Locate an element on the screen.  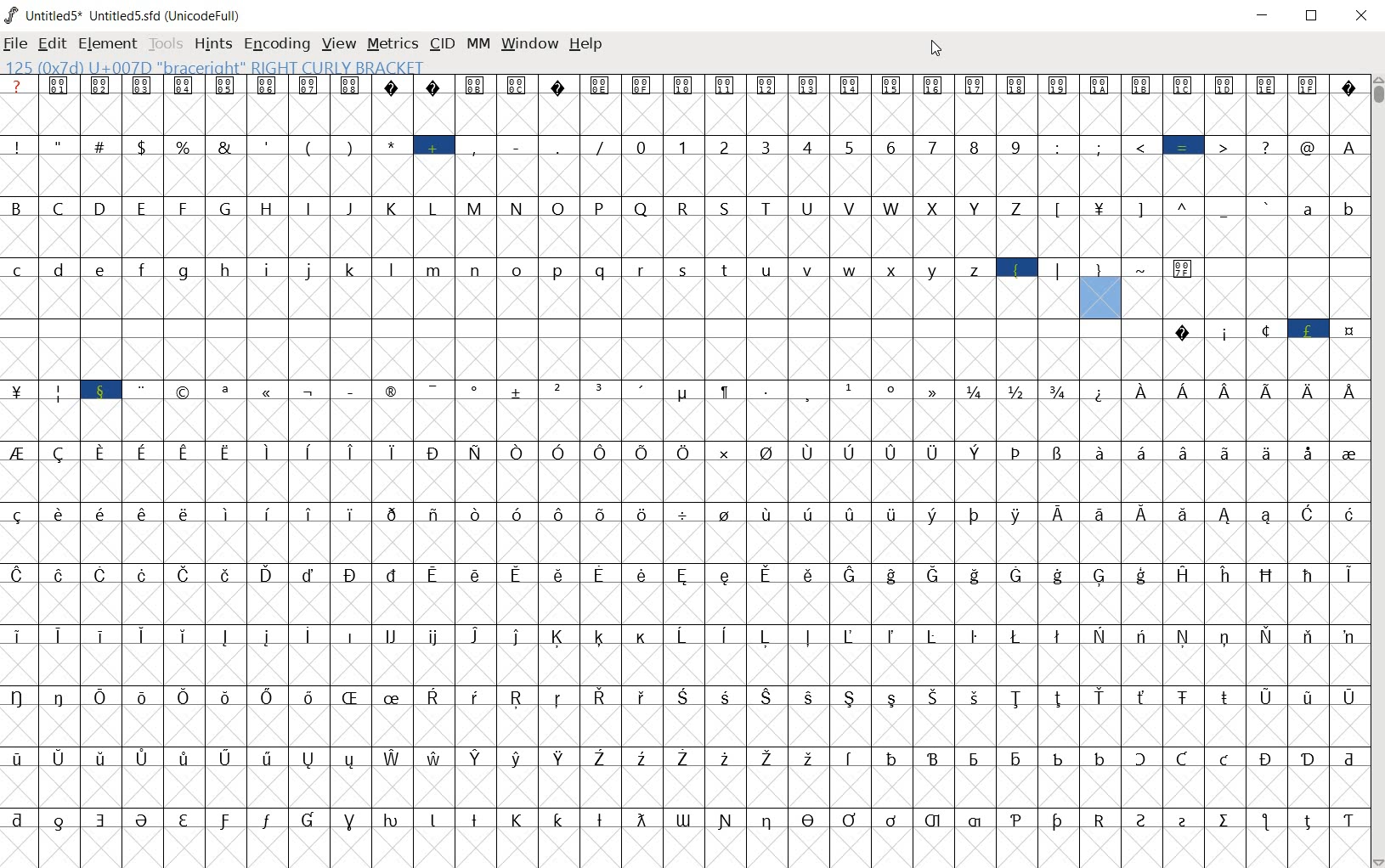
CLOSE is located at coordinates (1359, 15).